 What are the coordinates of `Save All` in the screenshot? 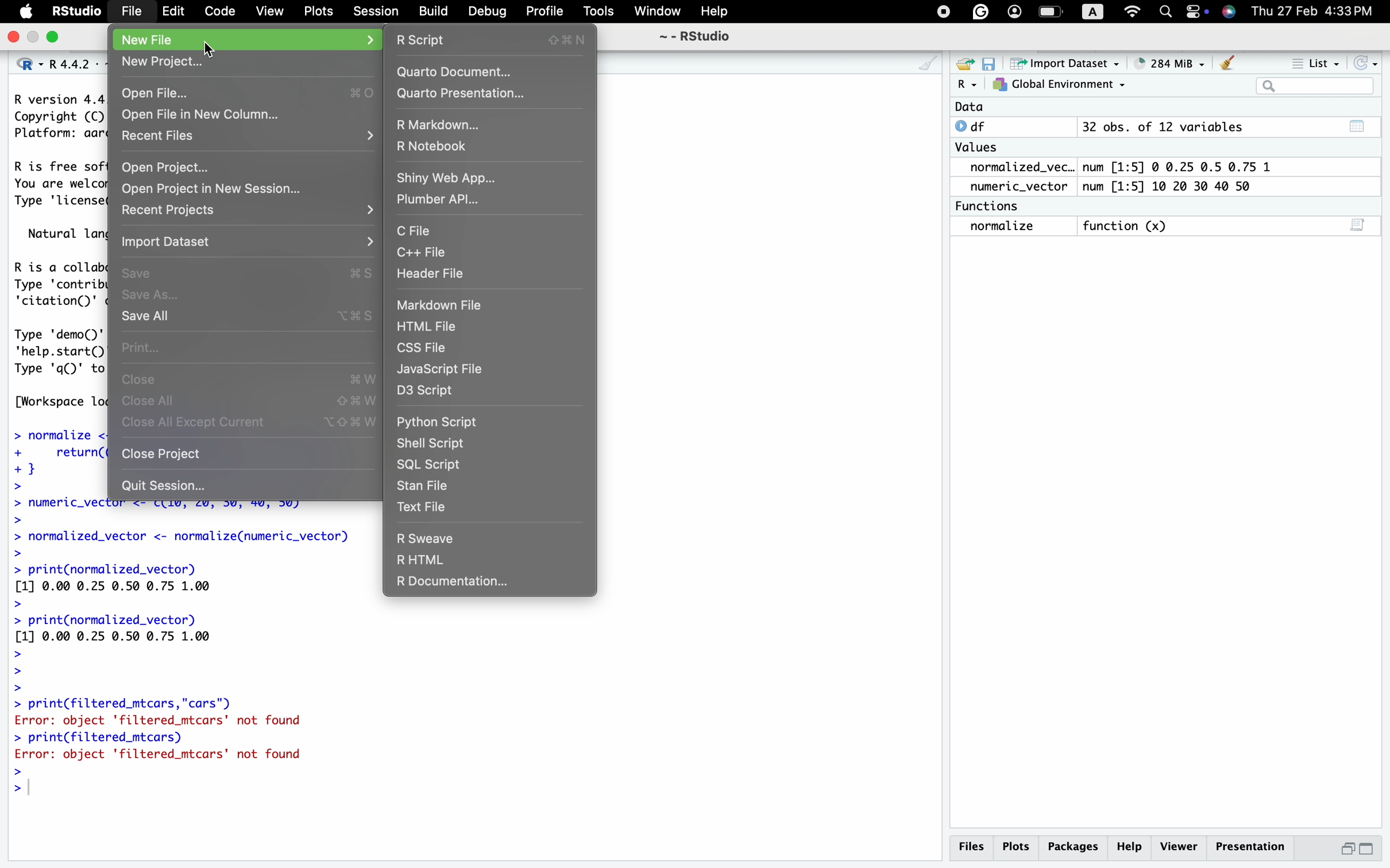 It's located at (247, 317).